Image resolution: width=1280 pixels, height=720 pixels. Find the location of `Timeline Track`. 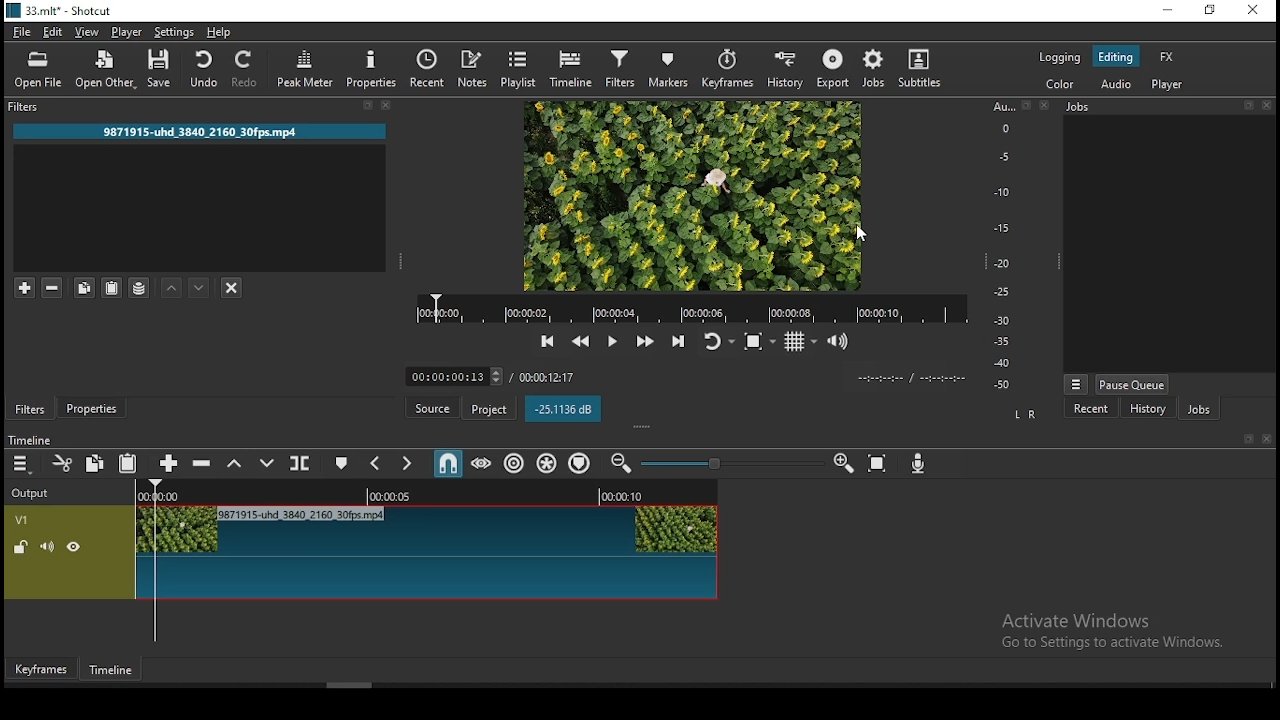

Timeline Track is located at coordinates (425, 495).